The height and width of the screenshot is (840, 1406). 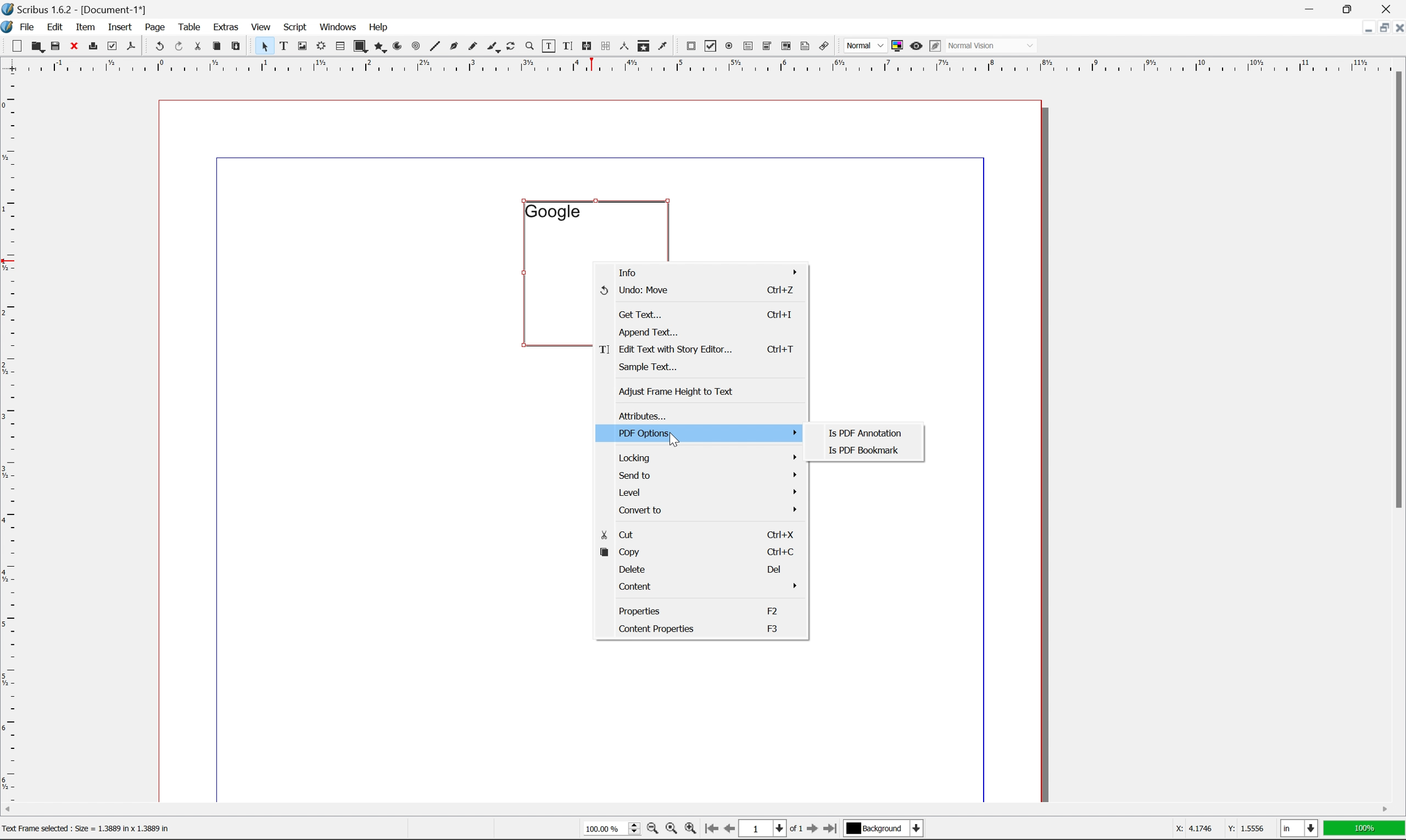 I want to click on scroll bar, so click(x=1396, y=289).